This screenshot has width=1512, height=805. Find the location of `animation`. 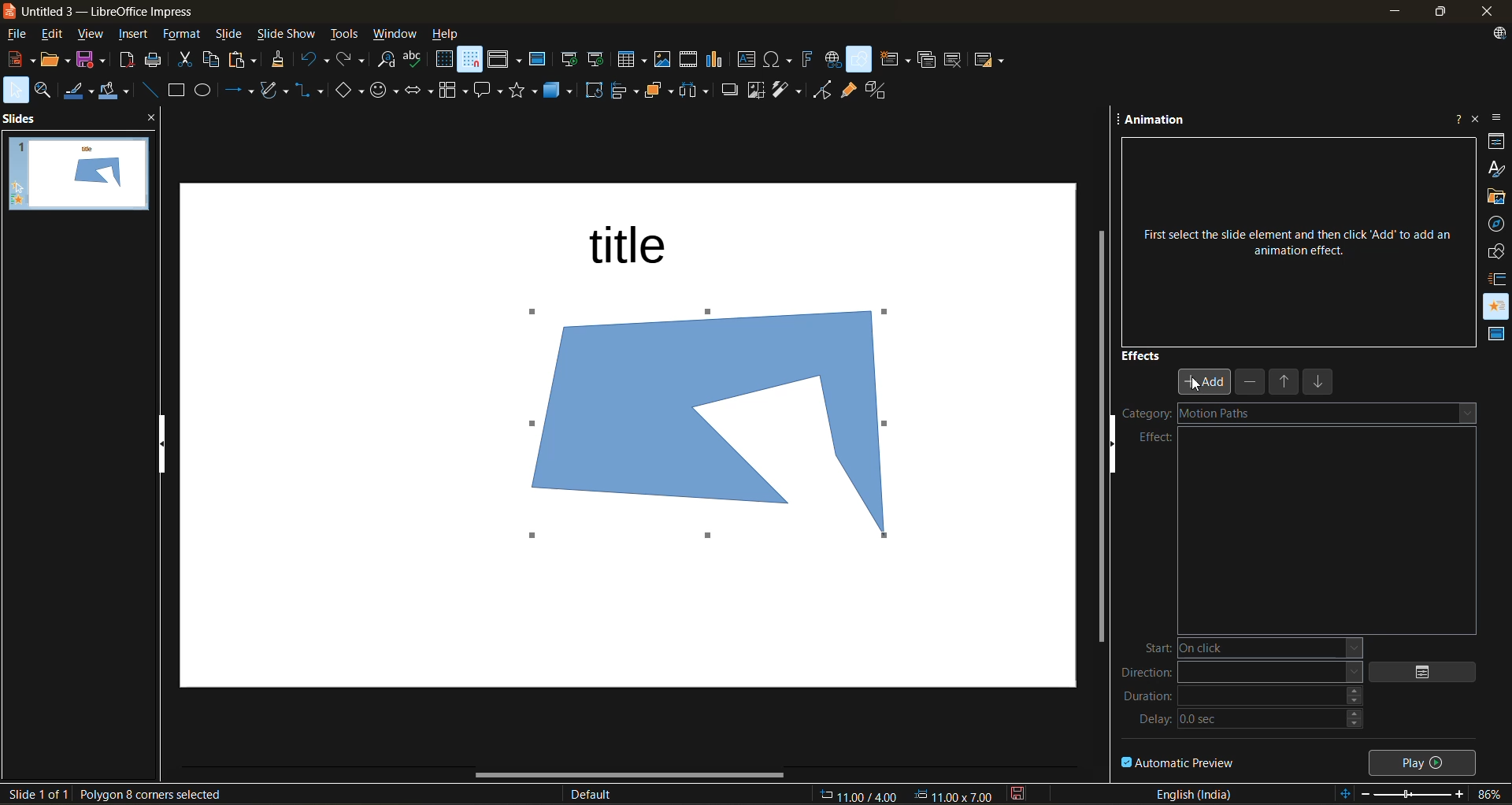

animation is located at coordinates (1155, 121).